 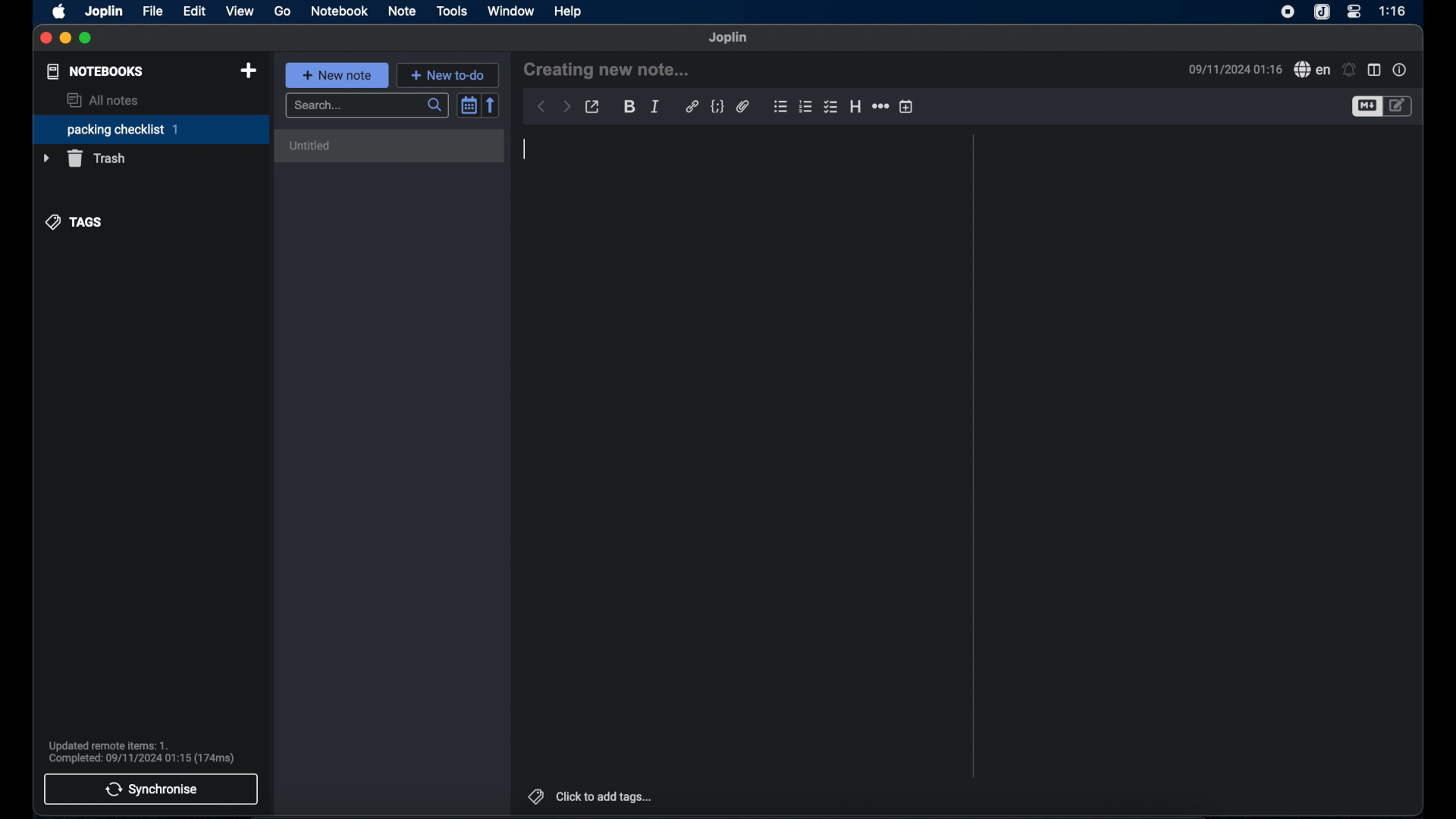 What do you see at coordinates (566, 106) in the screenshot?
I see `forward` at bounding box center [566, 106].